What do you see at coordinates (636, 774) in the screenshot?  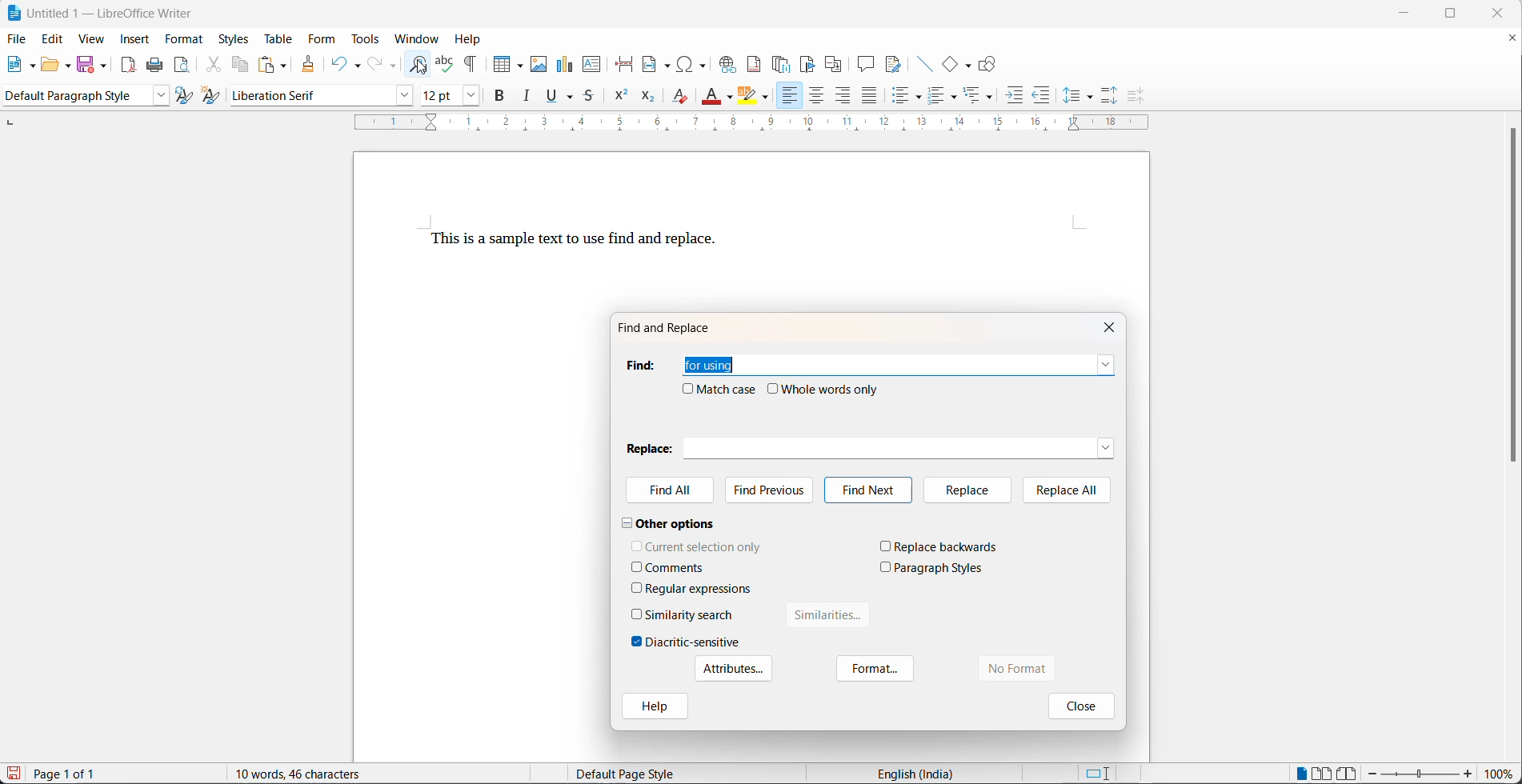 I see `Default page style` at bounding box center [636, 774].